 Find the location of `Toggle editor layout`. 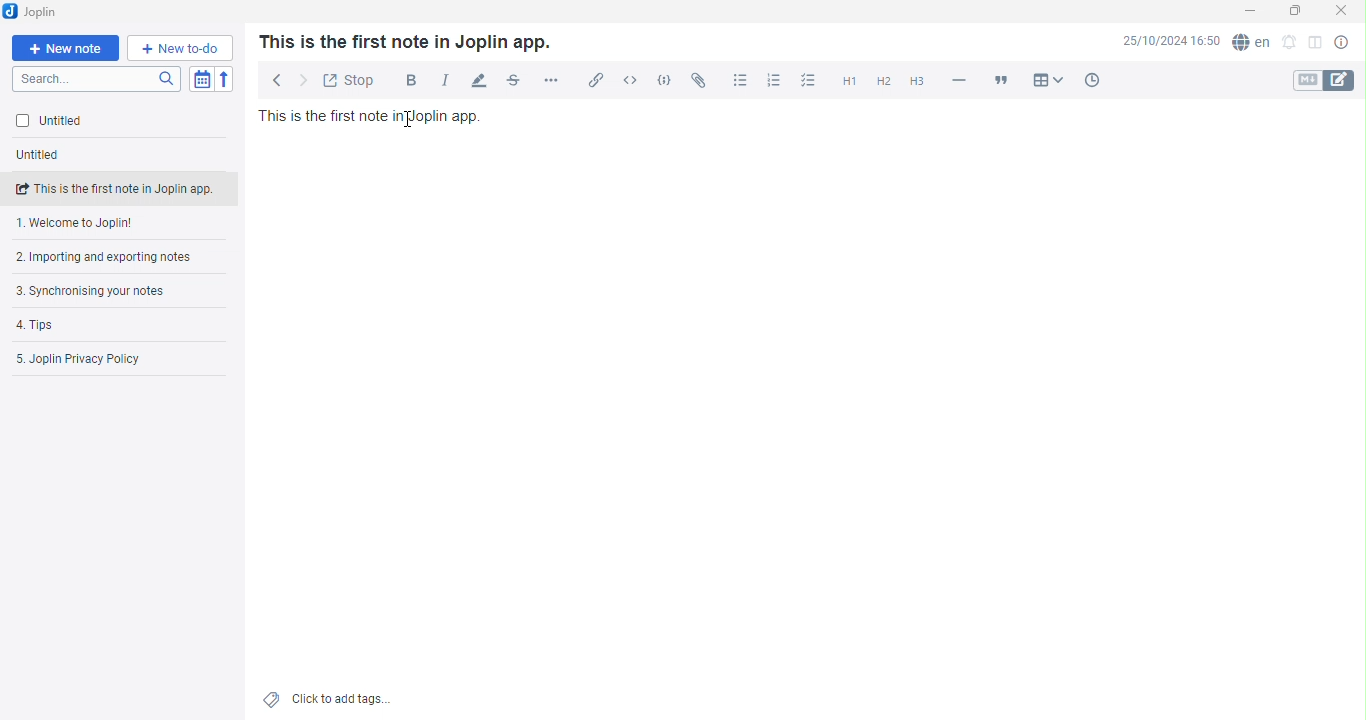

Toggle editor layout is located at coordinates (1312, 44).